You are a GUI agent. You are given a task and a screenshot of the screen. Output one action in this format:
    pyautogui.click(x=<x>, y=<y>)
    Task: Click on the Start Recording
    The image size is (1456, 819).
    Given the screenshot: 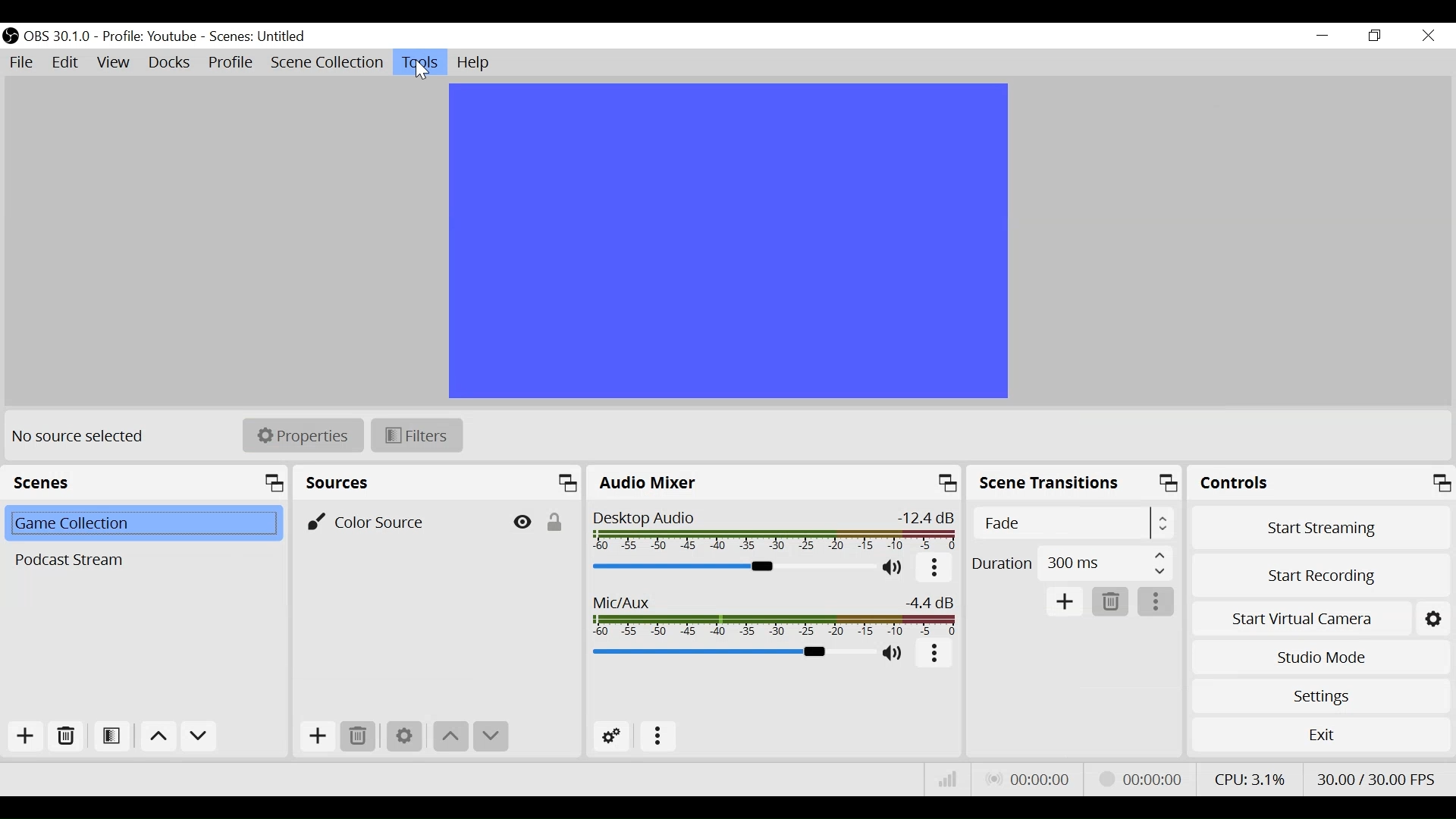 What is the action you would take?
    pyautogui.click(x=1319, y=574)
    